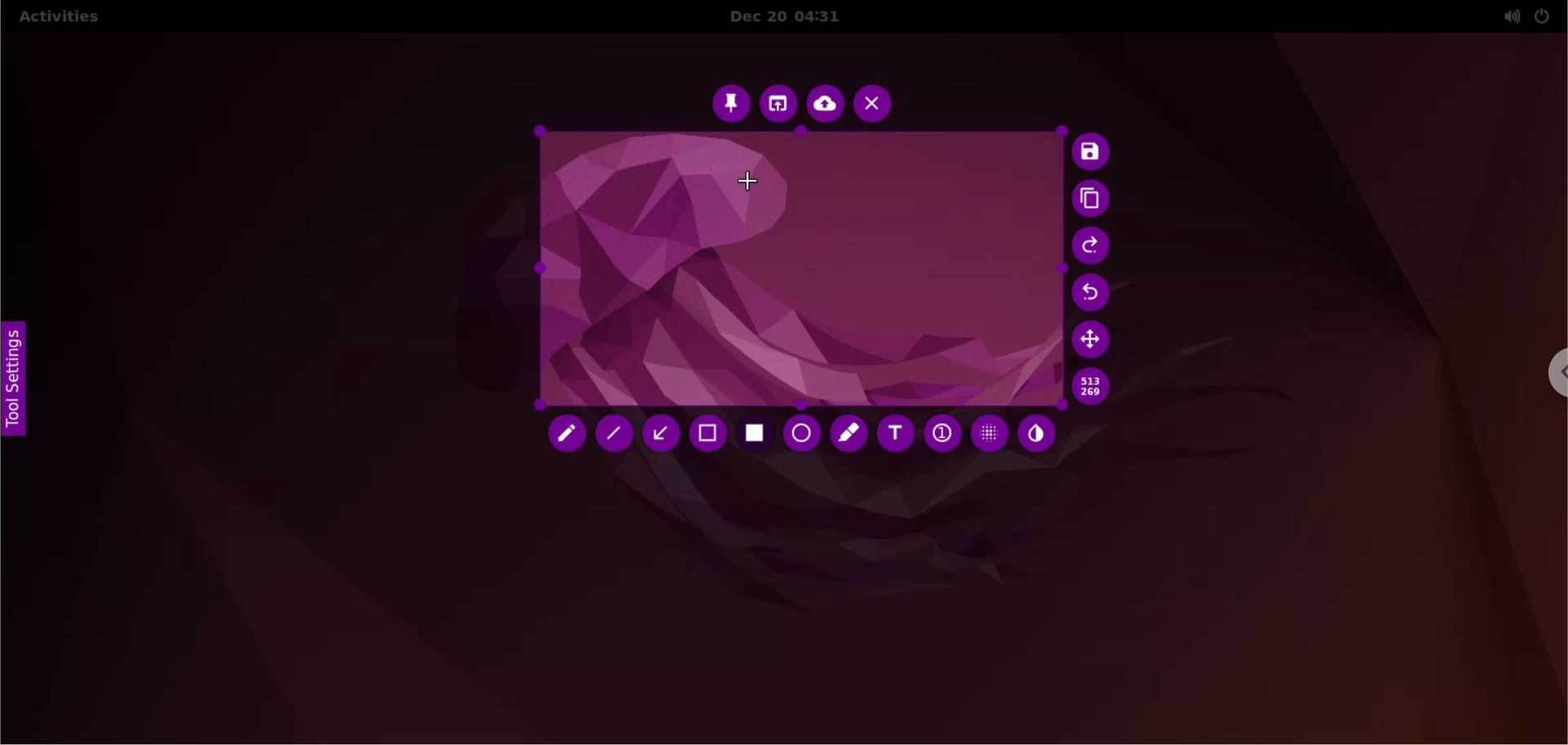  Describe the element at coordinates (1095, 389) in the screenshot. I see `x and y coordinate values` at that location.